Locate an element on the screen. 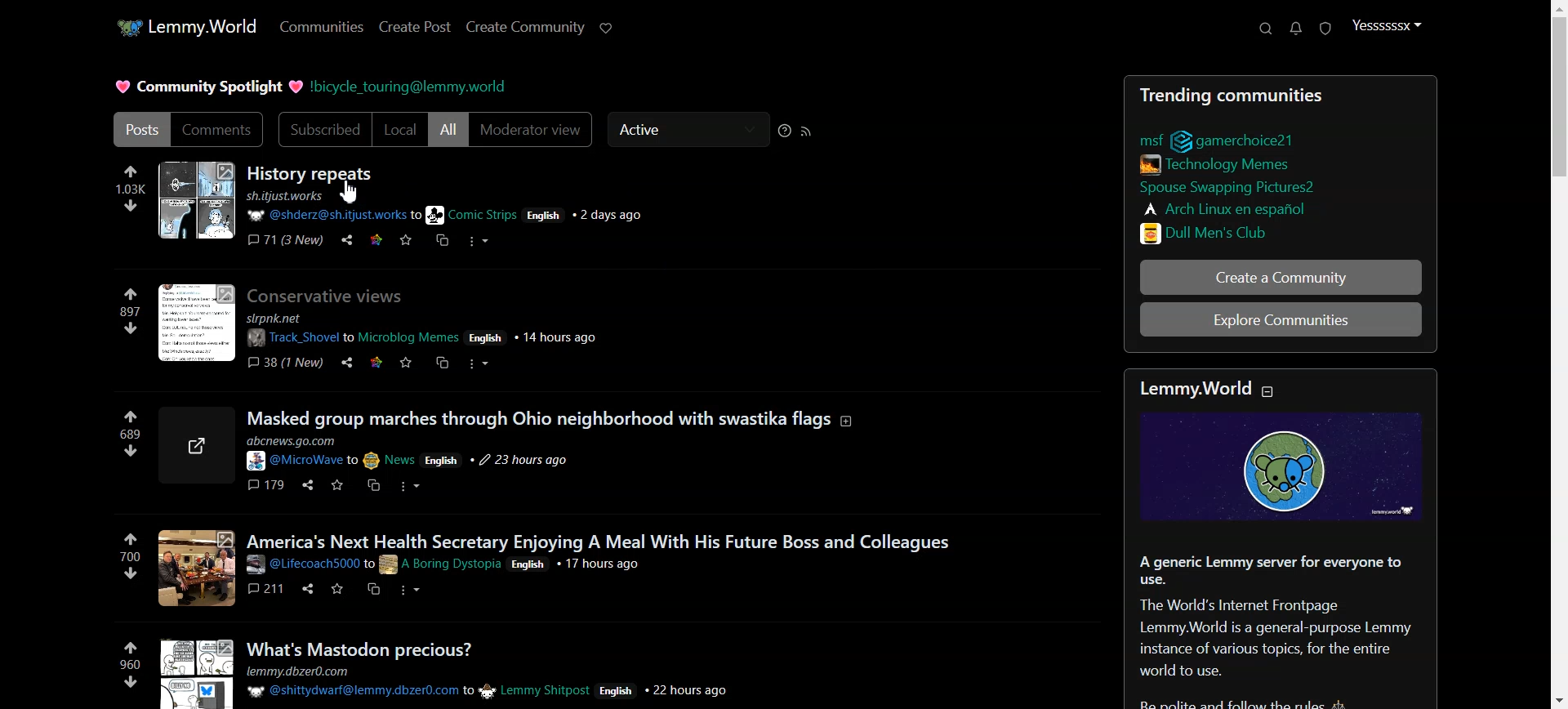  Profile is located at coordinates (1385, 25).